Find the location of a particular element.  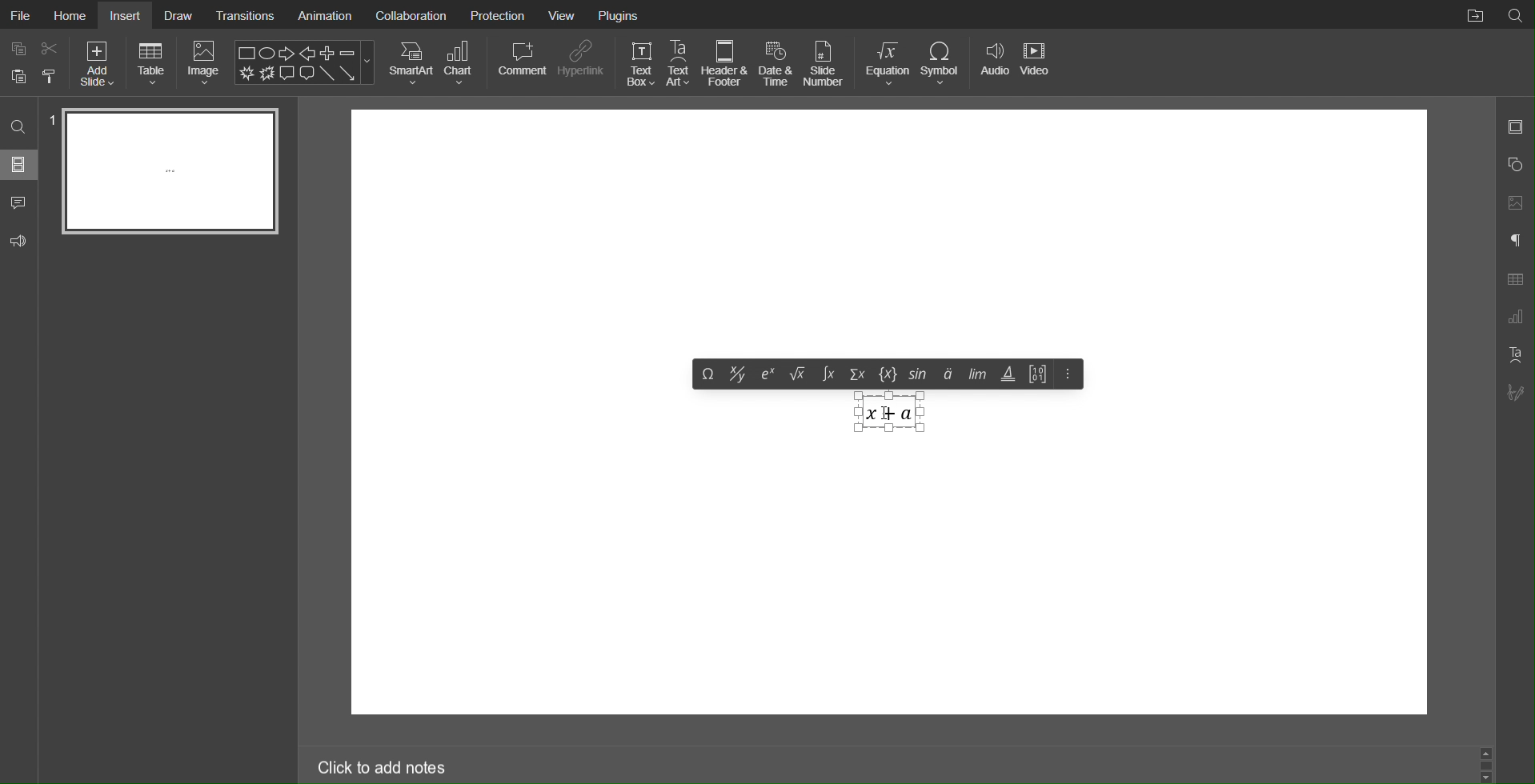

Symbols is located at coordinates (707, 374).